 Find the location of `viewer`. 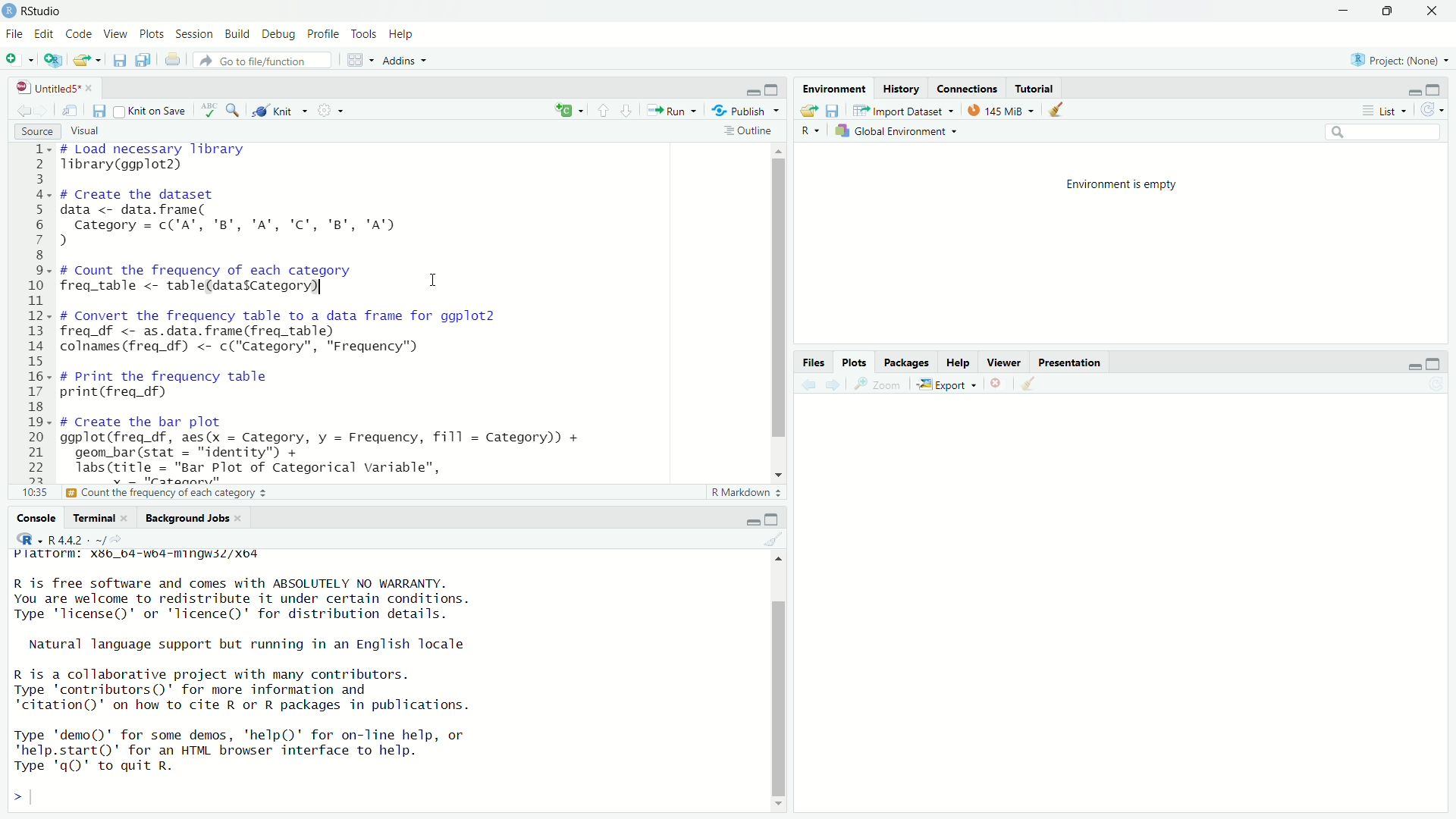

viewer is located at coordinates (1005, 364).